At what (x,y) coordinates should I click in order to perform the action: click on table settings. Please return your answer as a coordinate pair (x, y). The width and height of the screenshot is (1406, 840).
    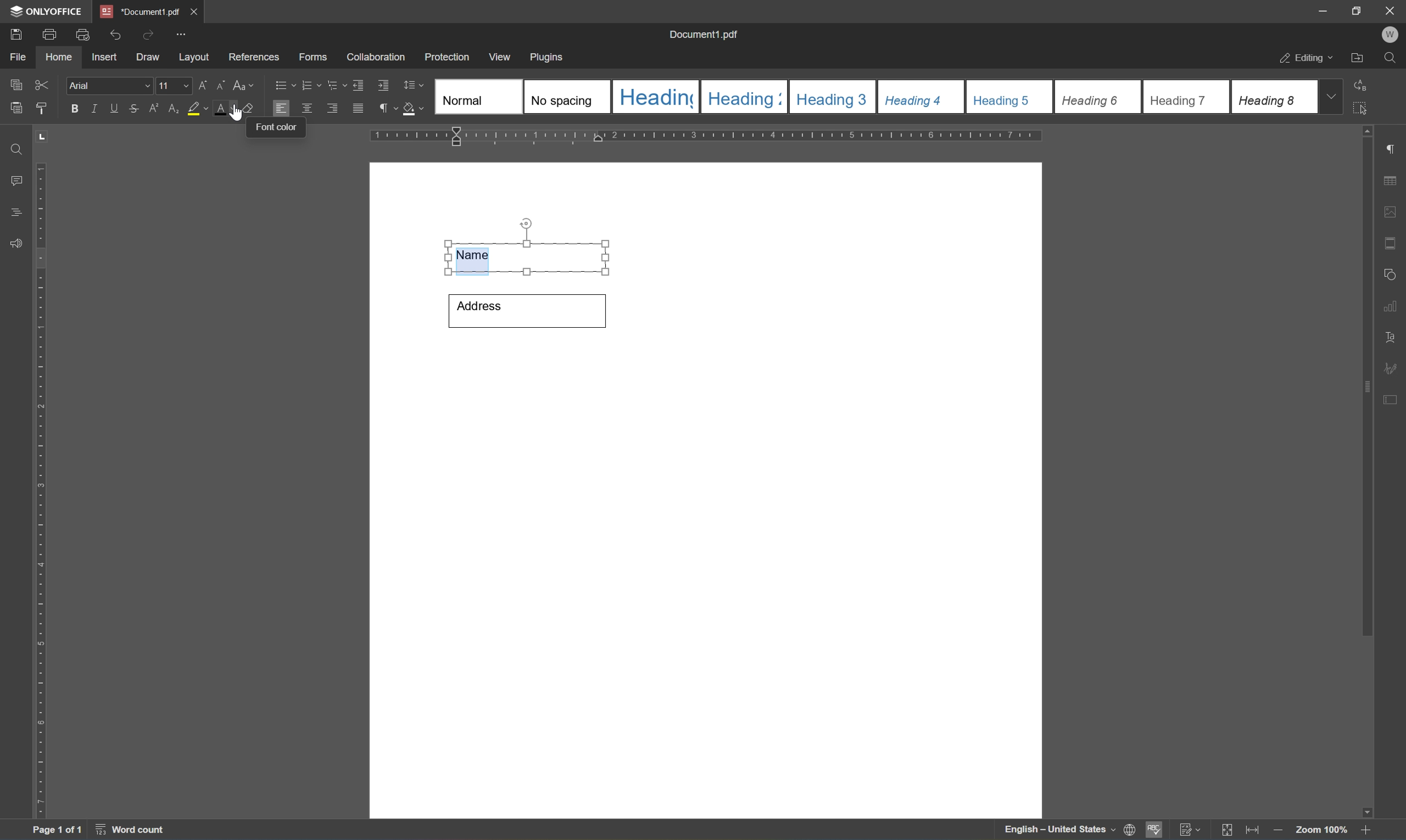
    Looking at the image, I should click on (1392, 179).